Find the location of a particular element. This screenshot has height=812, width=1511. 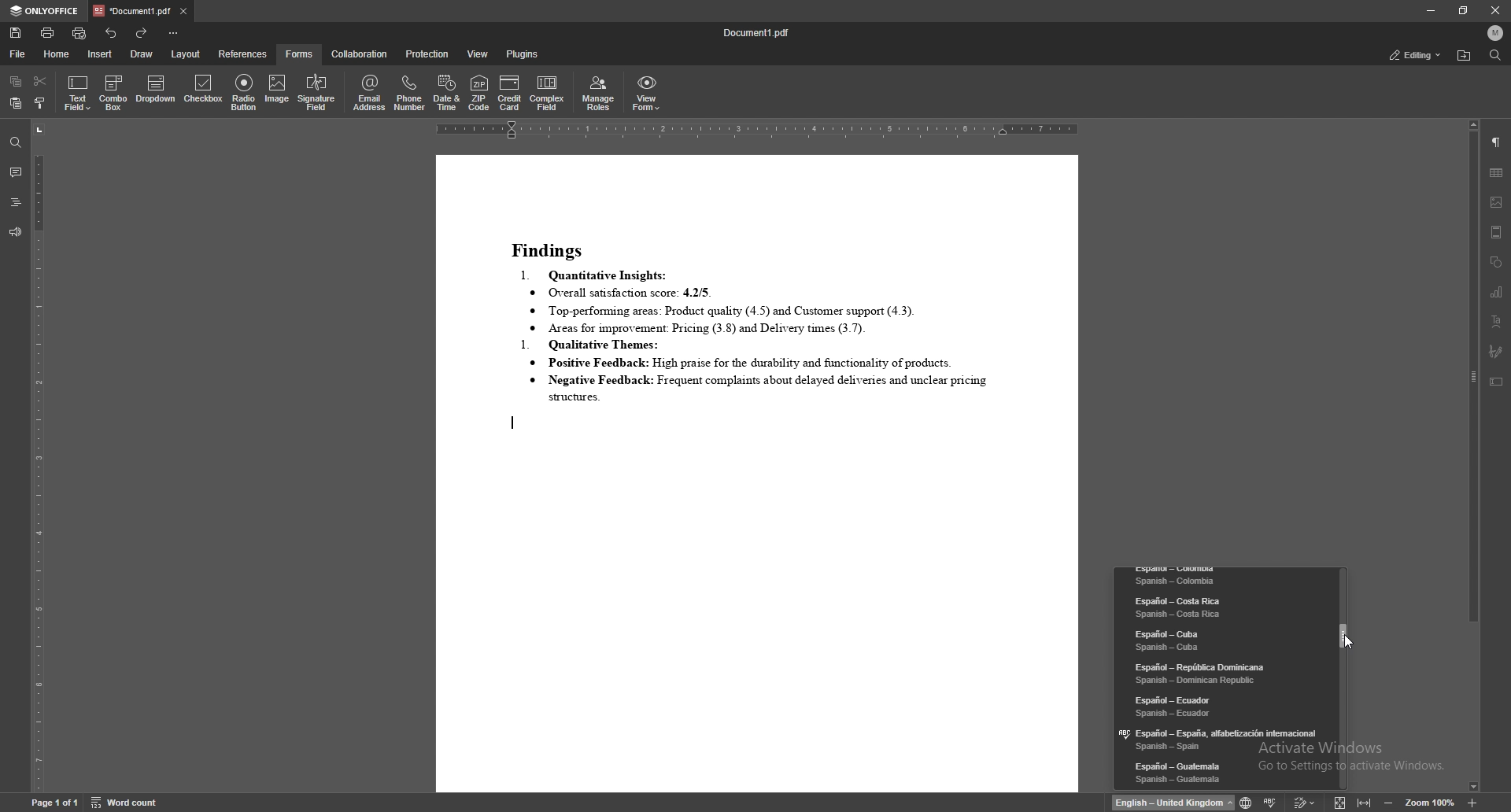

home is located at coordinates (57, 55).